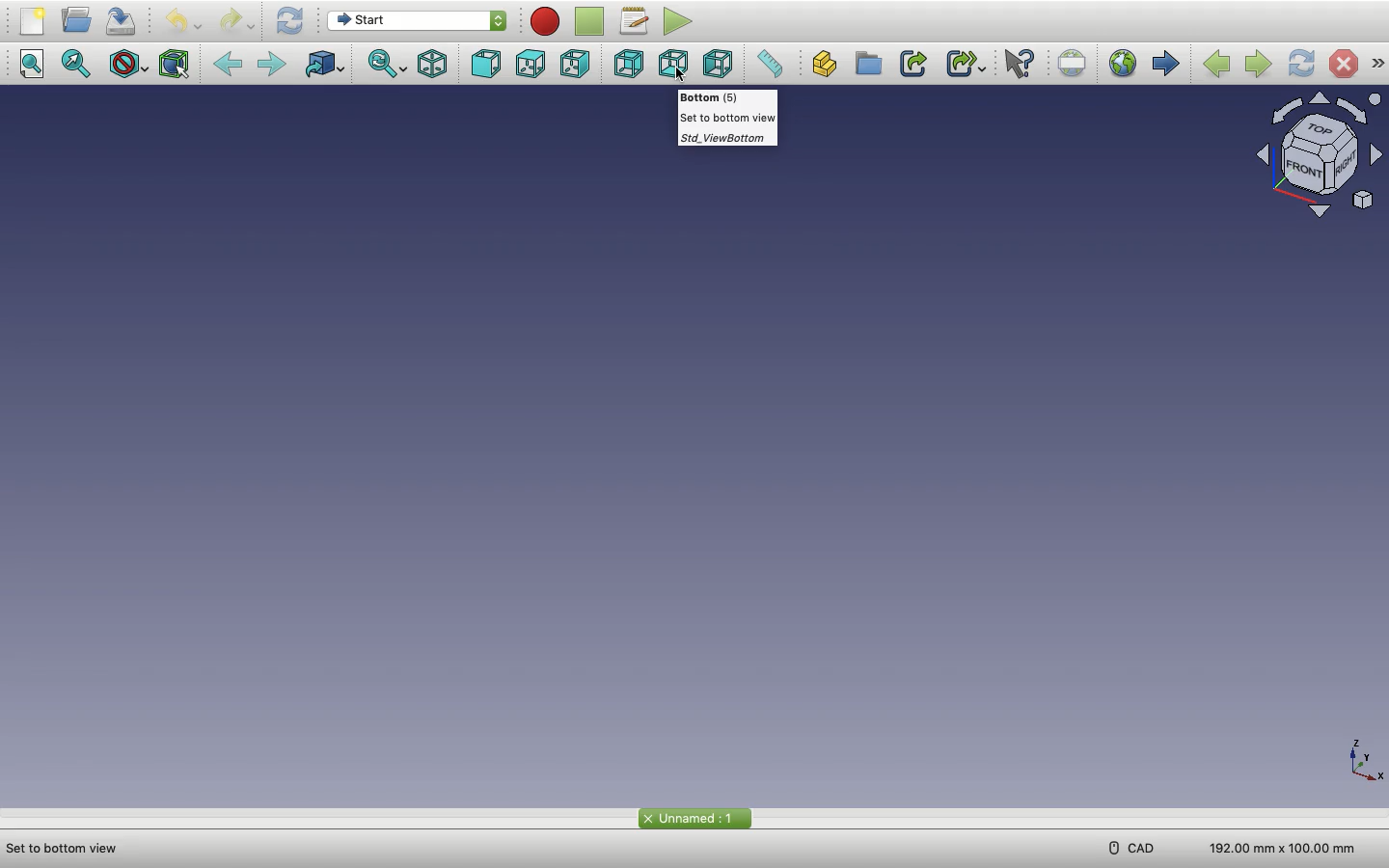 The image size is (1389, 868). Describe the element at coordinates (178, 62) in the screenshot. I see `Bounding box` at that location.